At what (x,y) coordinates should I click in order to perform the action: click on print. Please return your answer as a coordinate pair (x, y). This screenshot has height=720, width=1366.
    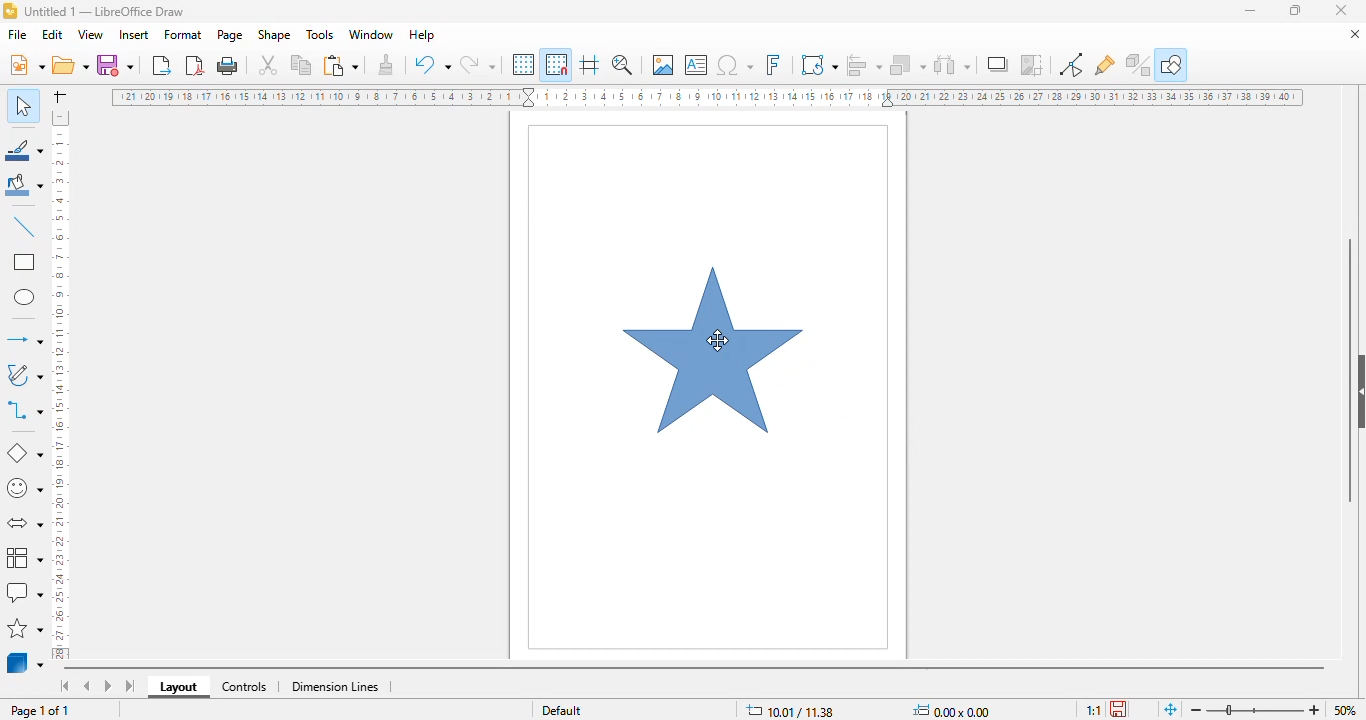
    Looking at the image, I should click on (228, 66).